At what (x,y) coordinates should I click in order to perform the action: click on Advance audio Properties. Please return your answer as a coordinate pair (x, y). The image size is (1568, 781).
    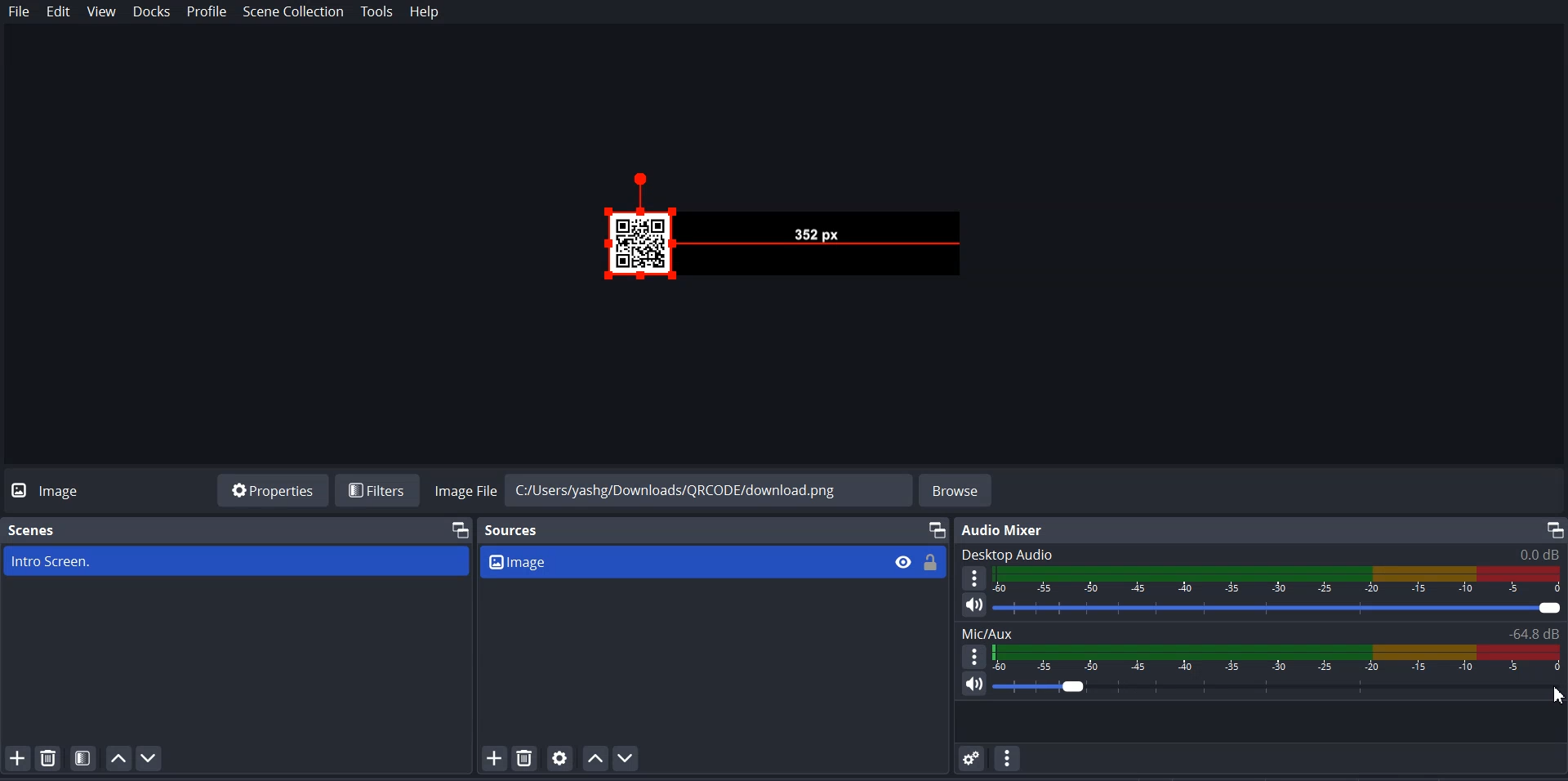
    Looking at the image, I should click on (973, 757).